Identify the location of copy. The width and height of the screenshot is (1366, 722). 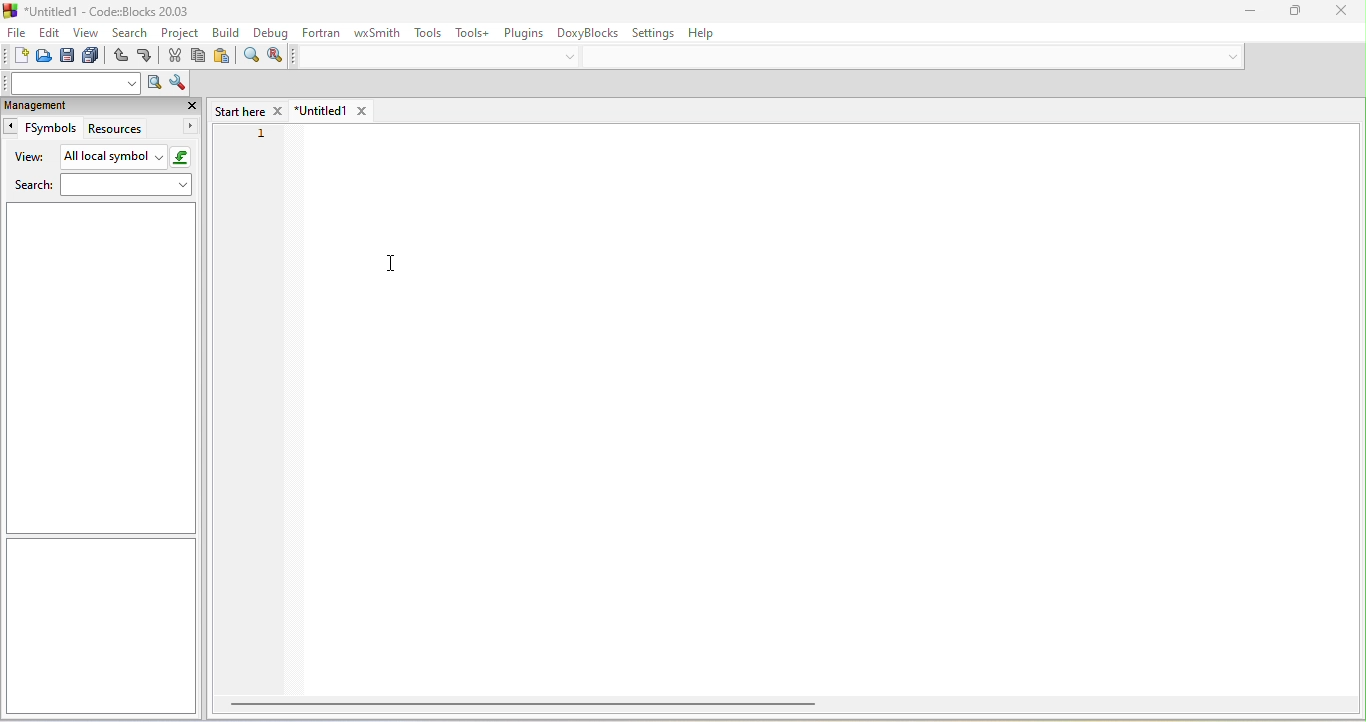
(199, 56).